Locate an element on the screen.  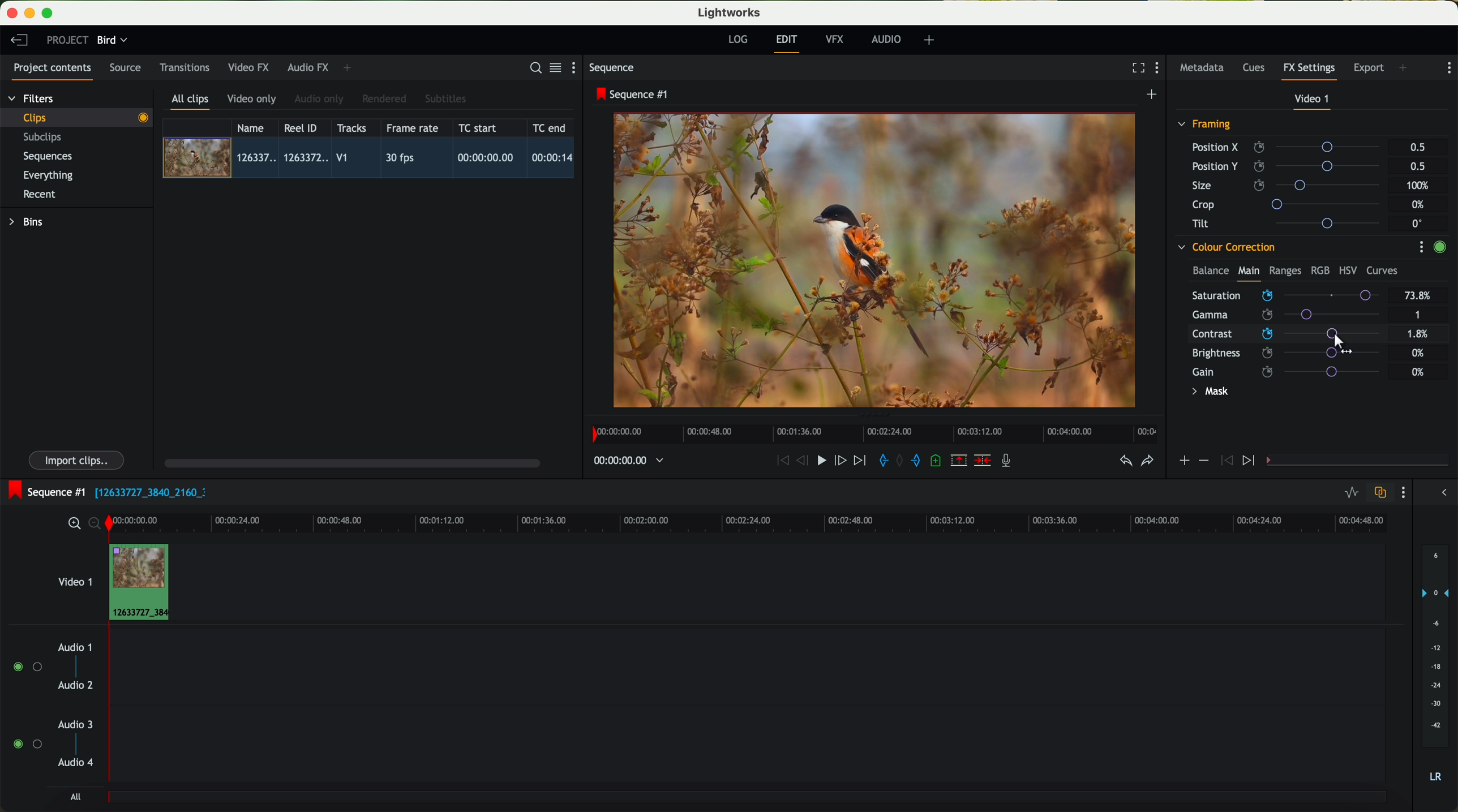
minimize program is located at coordinates (32, 14).